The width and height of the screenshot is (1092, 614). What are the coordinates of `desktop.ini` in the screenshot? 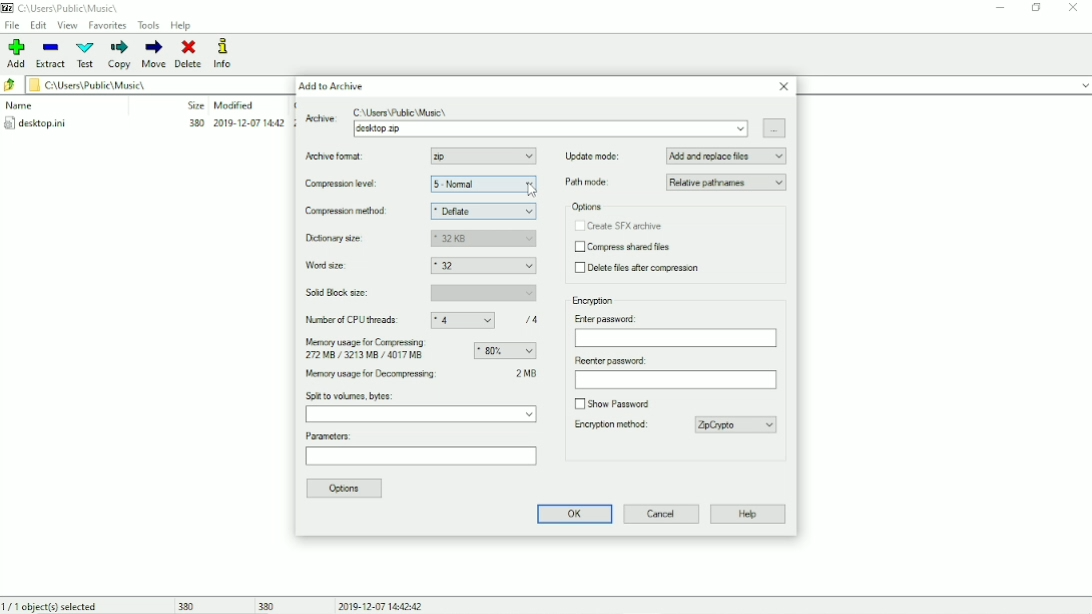 It's located at (147, 125).